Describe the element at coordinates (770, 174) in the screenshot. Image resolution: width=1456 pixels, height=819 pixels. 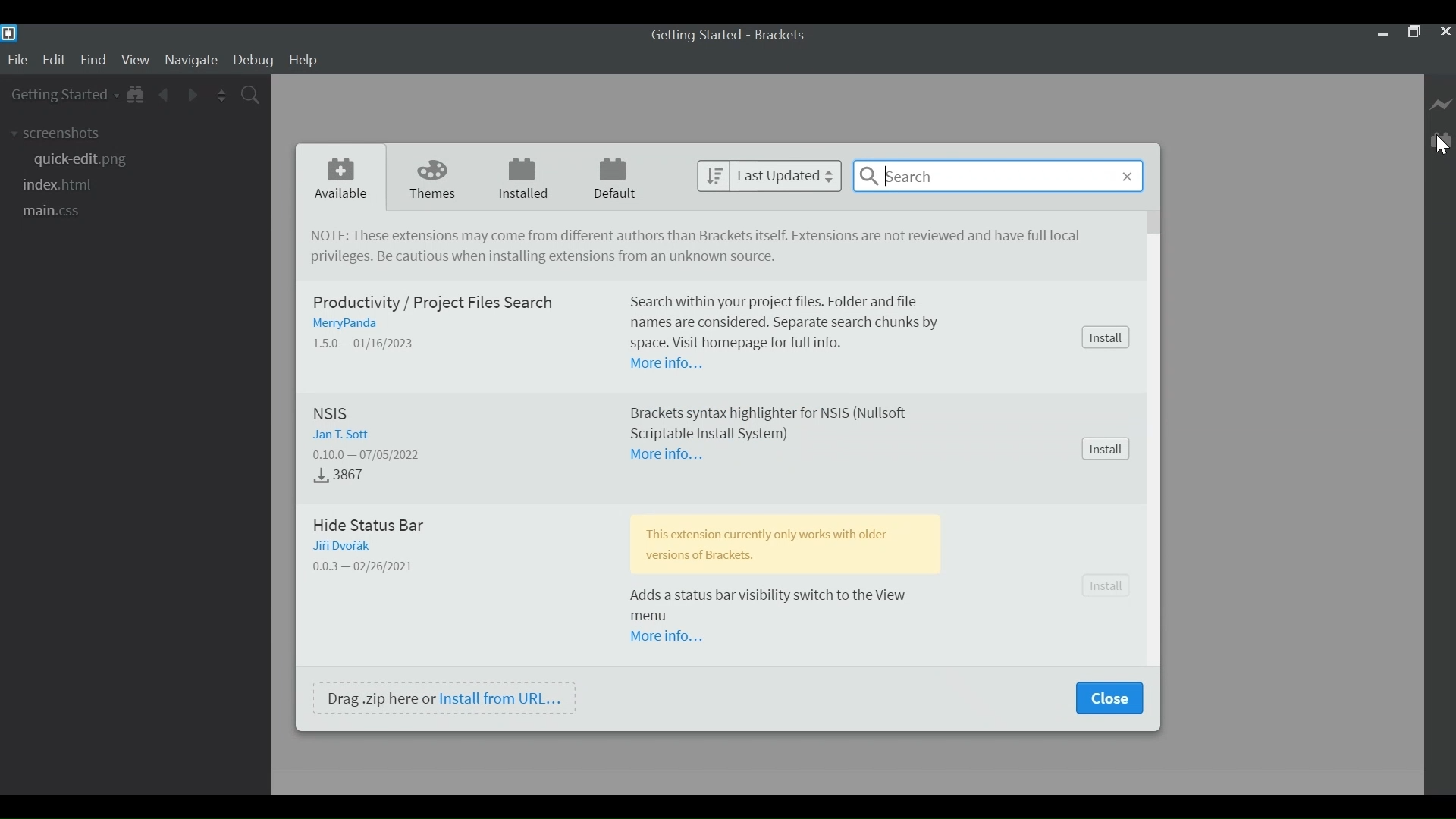
I see `Last Updated` at that location.